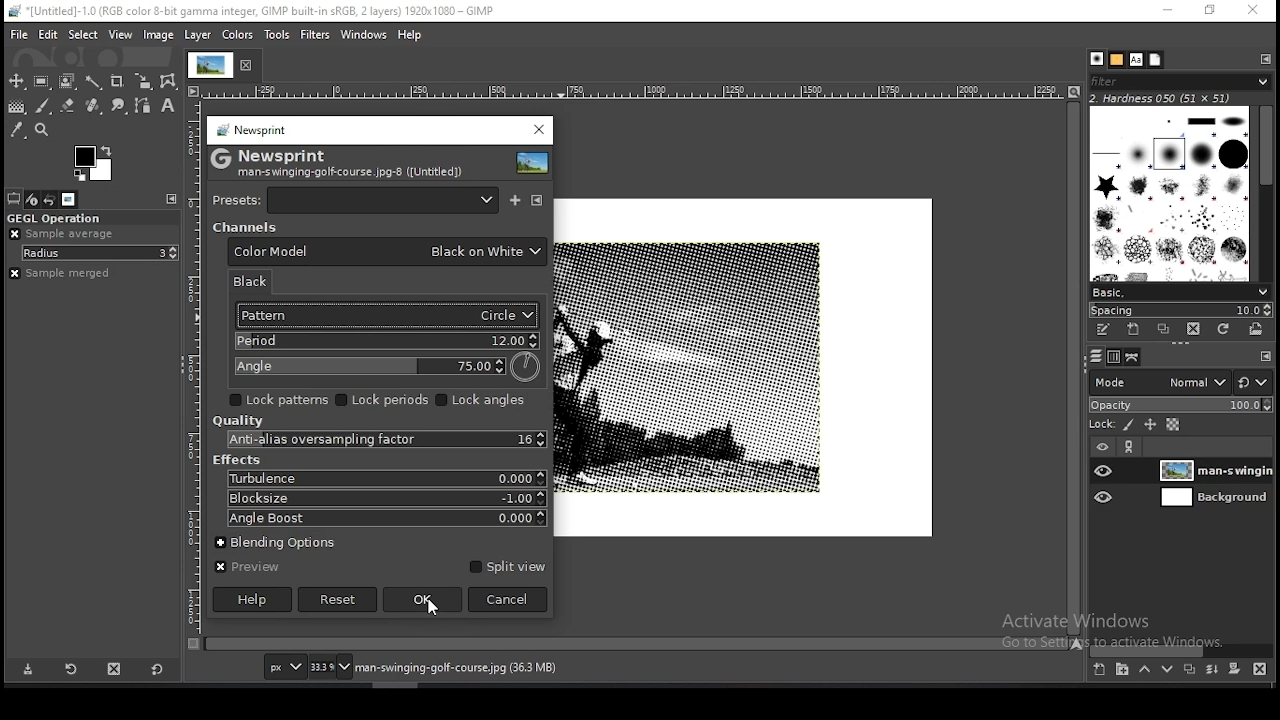 The width and height of the screenshot is (1280, 720). I want to click on create a new layer, so click(1100, 669).